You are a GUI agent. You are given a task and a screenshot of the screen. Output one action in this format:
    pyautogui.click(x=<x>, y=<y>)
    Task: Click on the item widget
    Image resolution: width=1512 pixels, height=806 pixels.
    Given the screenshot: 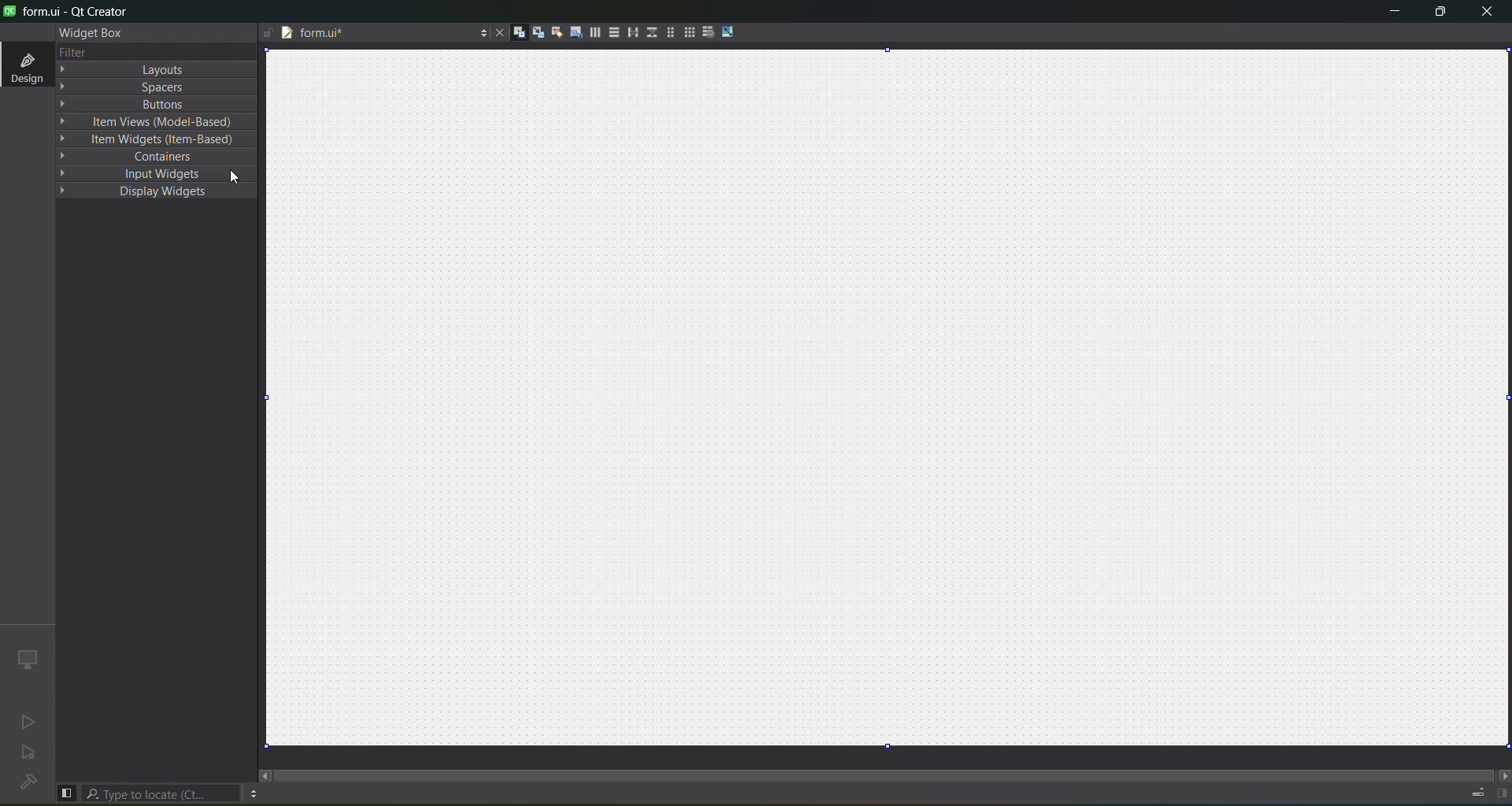 What is the action you would take?
    pyautogui.click(x=150, y=139)
    